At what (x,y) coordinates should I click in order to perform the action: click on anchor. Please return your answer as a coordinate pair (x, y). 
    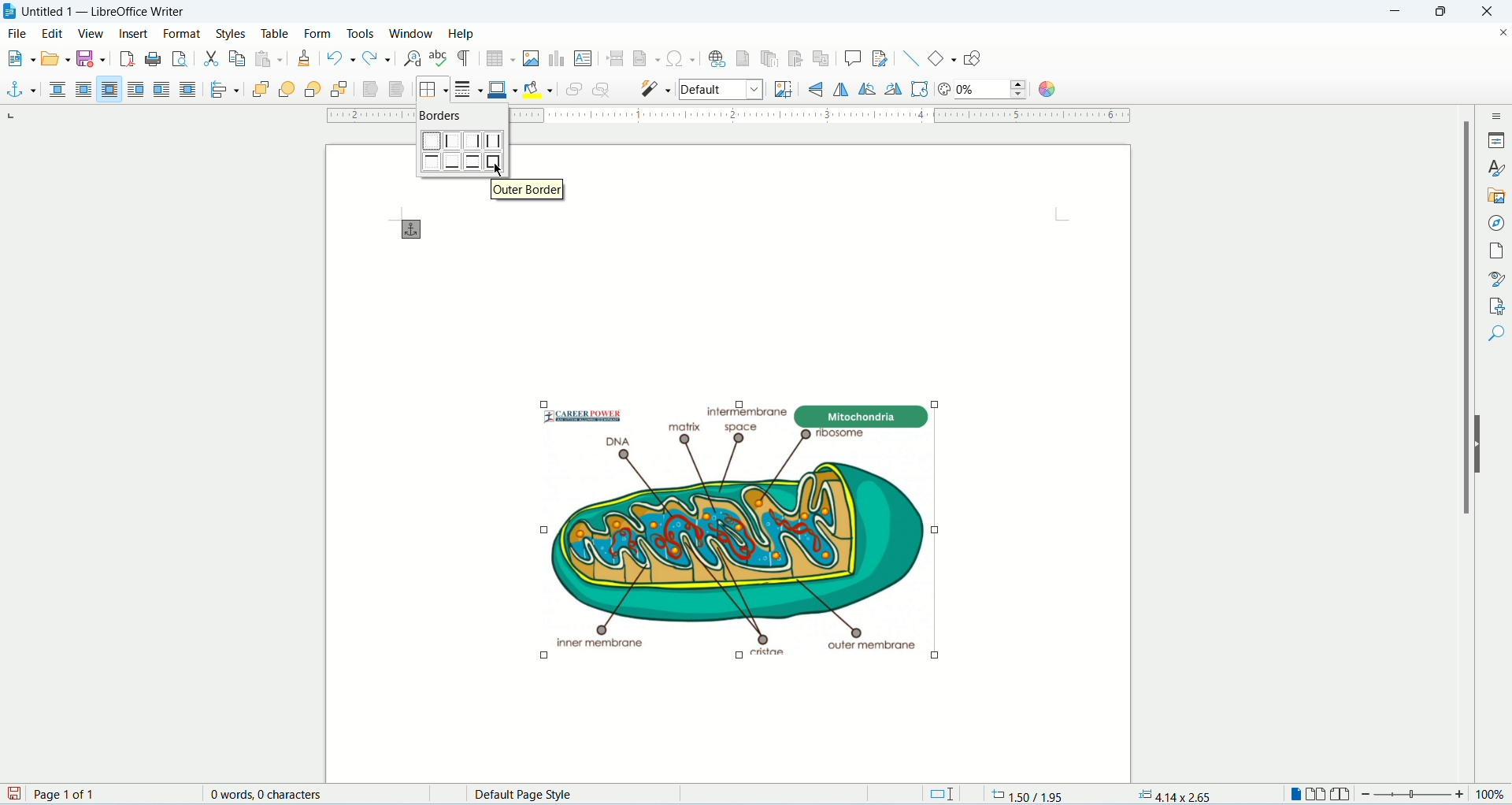
    Looking at the image, I should click on (417, 230).